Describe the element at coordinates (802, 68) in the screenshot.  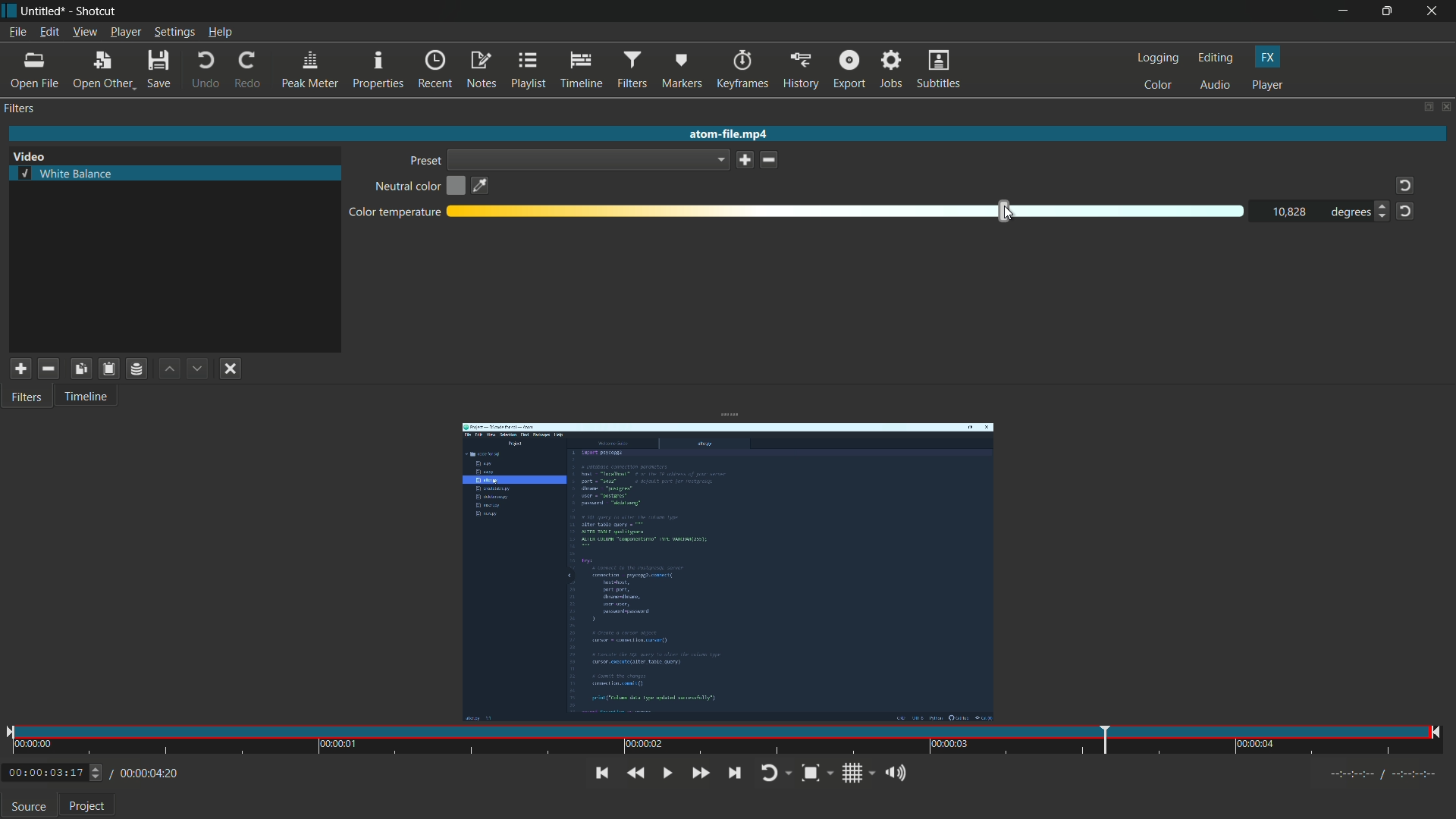
I see `history` at that location.